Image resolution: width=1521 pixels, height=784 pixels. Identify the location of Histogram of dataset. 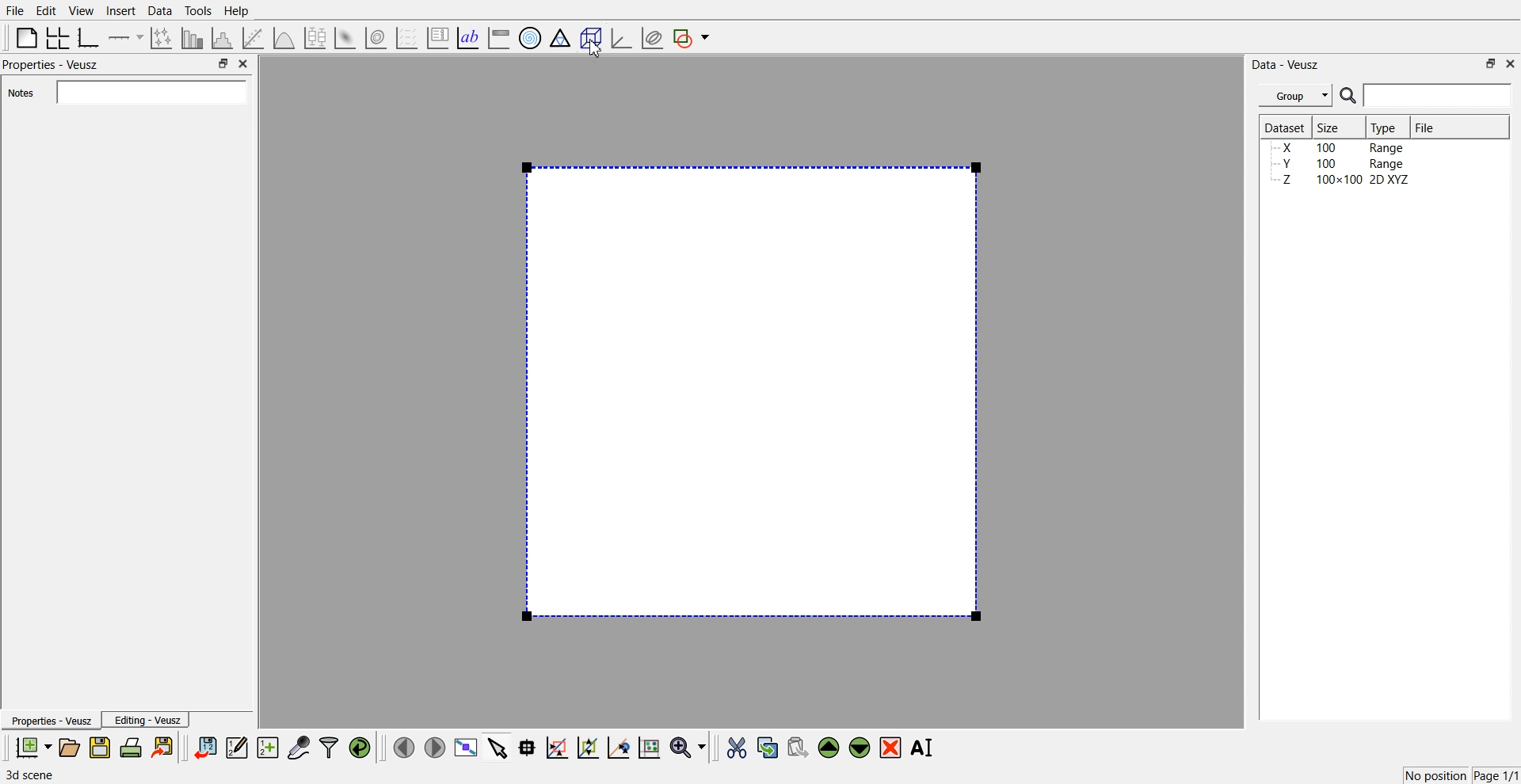
(220, 39).